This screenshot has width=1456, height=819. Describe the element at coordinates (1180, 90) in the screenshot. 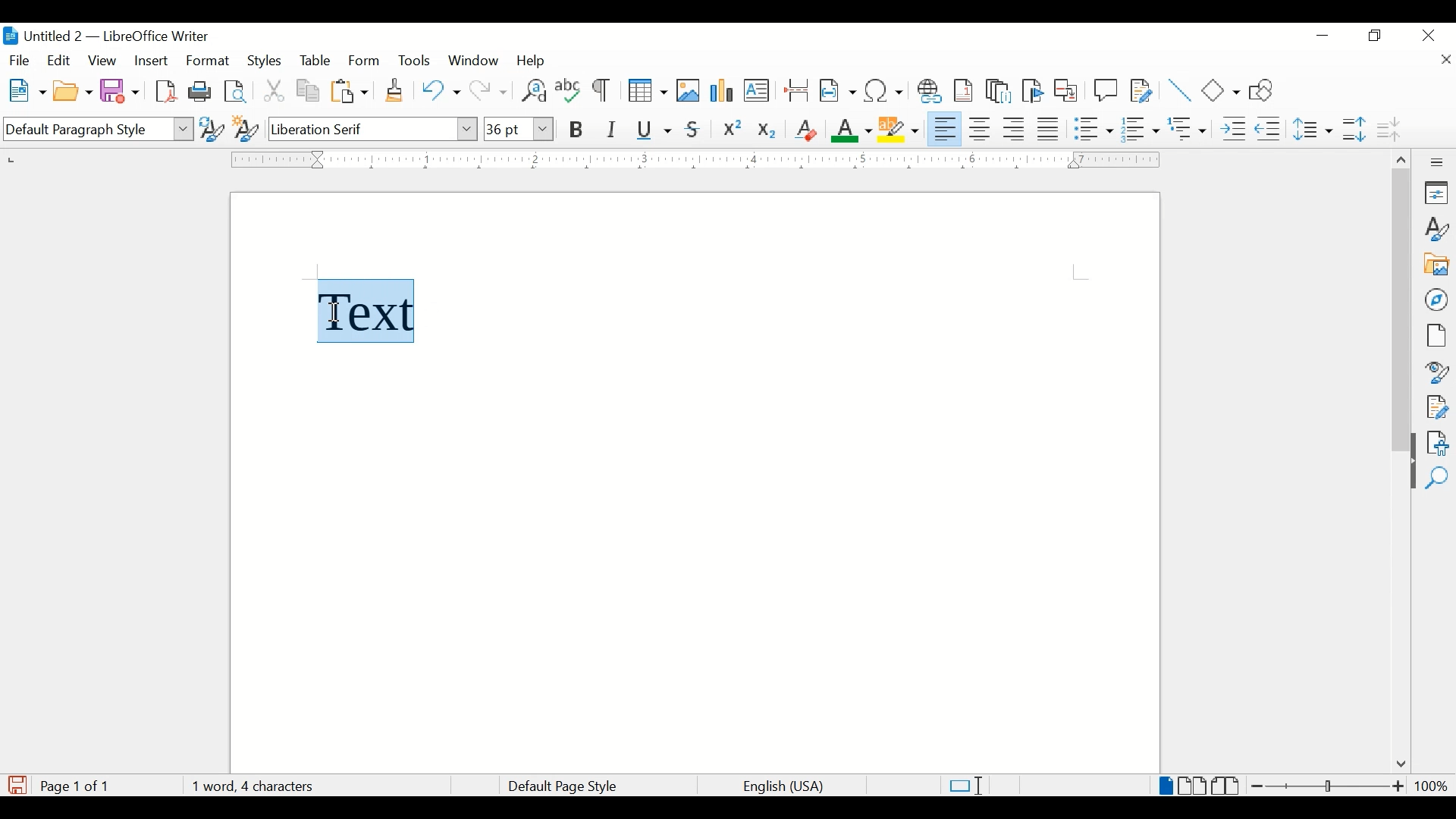

I see `insert line` at that location.